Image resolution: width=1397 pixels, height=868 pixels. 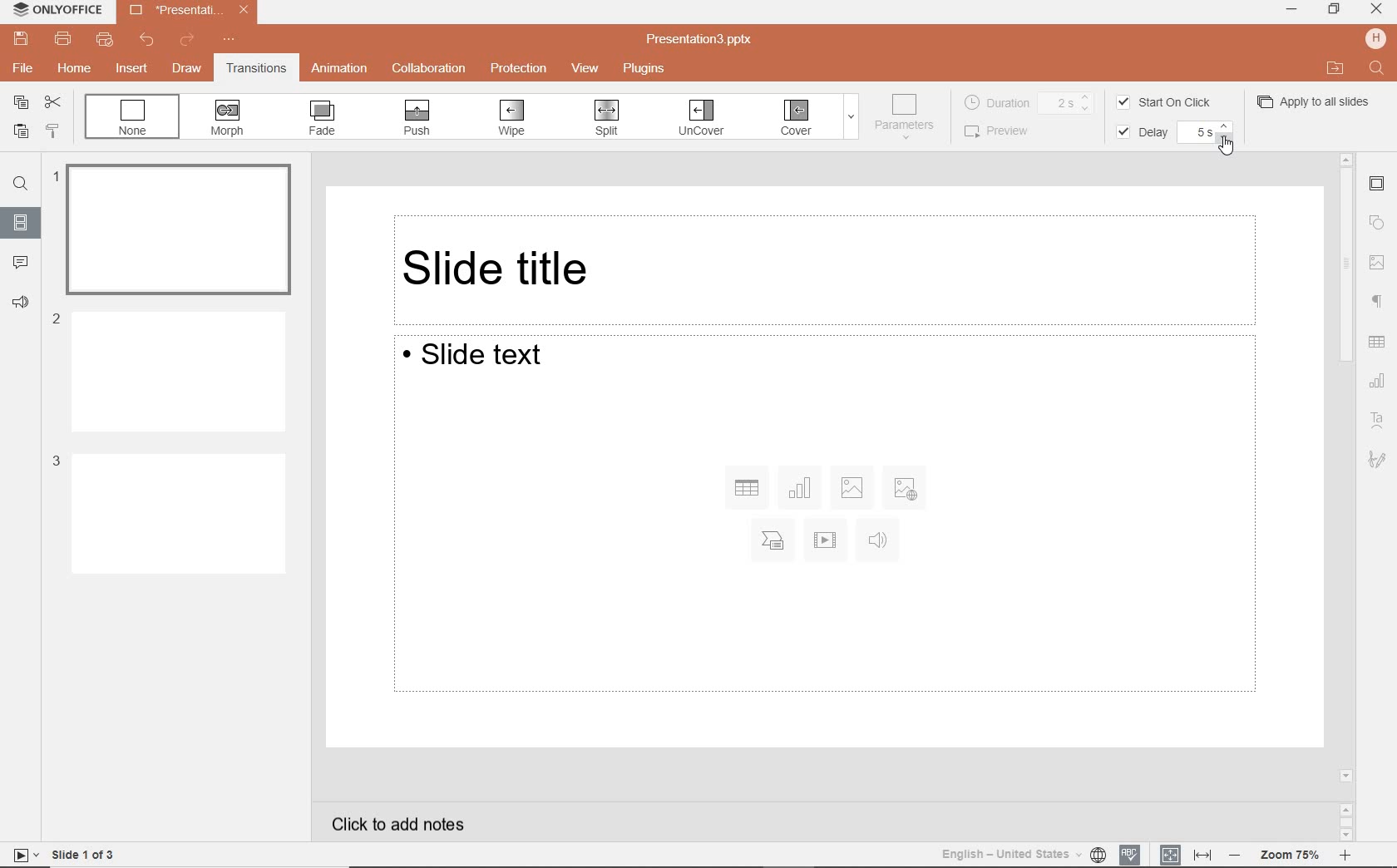 I want to click on table settings, so click(x=1377, y=342).